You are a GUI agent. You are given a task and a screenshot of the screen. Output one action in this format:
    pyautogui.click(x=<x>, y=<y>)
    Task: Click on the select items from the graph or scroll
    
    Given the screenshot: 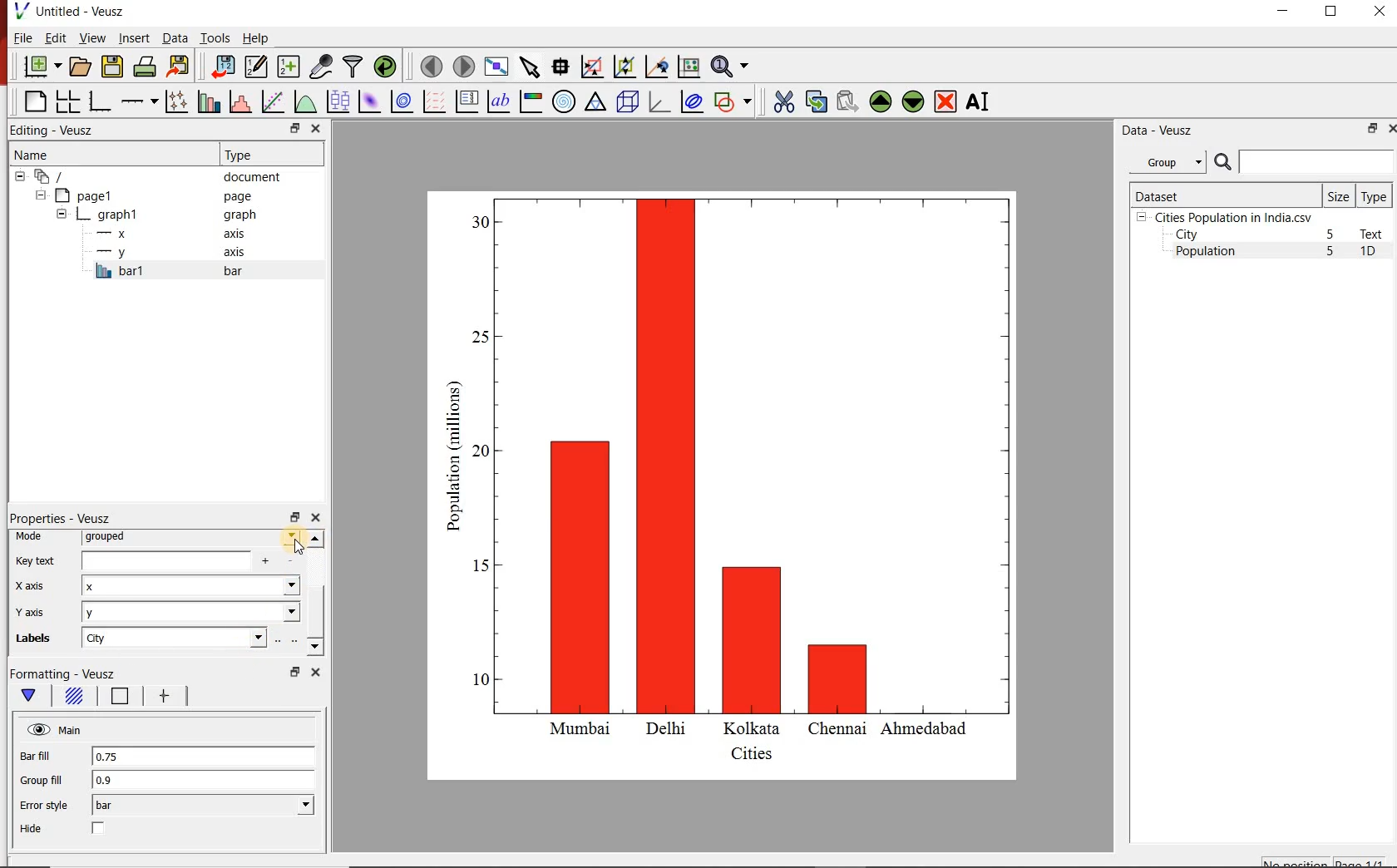 What is the action you would take?
    pyautogui.click(x=529, y=66)
    